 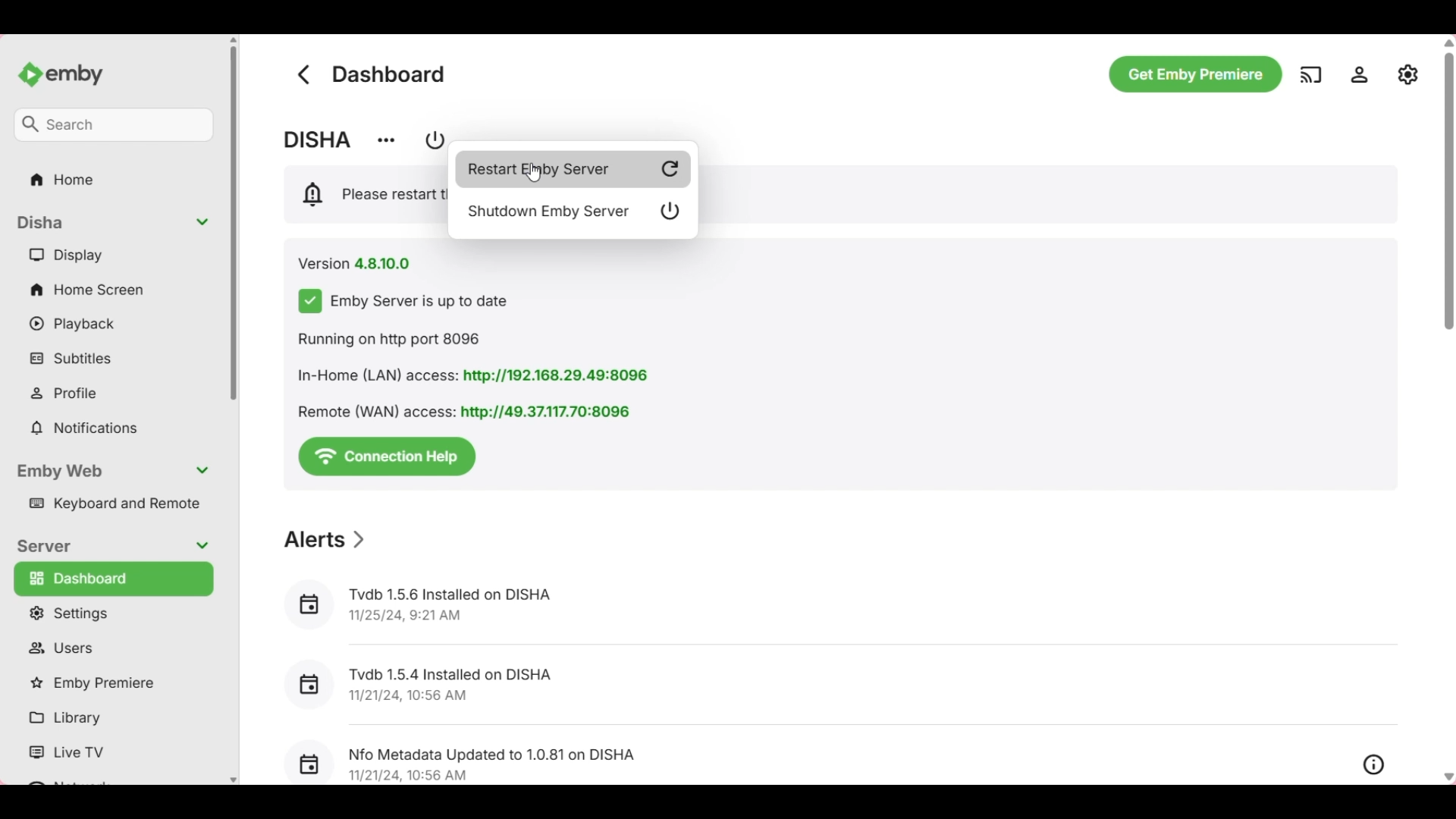 What do you see at coordinates (533, 173) in the screenshot?
I see `Cursor` at bounding box center [533, 173].